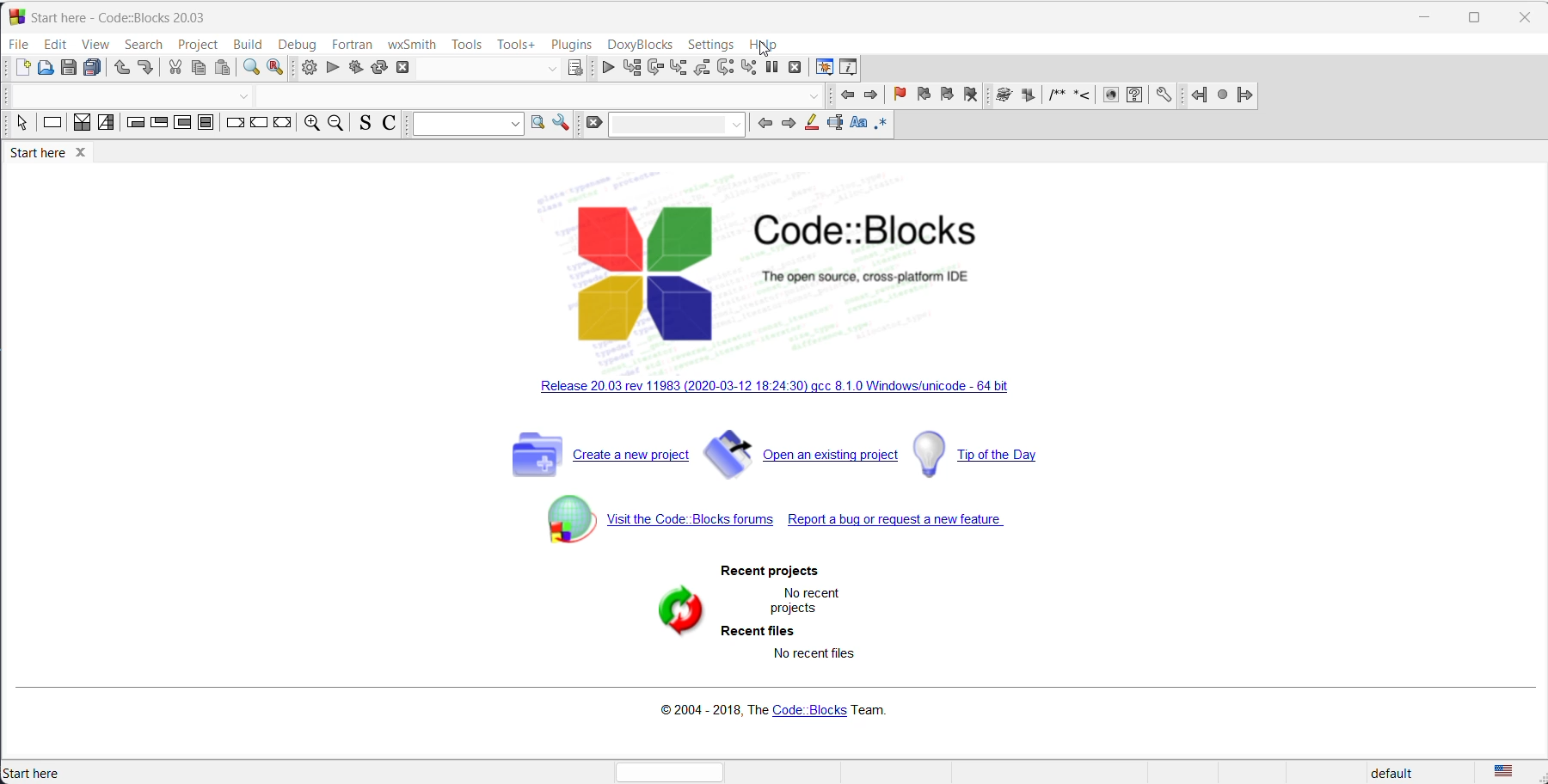 This screenshot has width=1548, height=784. I want to click on continue instruction, so click(261, 126).